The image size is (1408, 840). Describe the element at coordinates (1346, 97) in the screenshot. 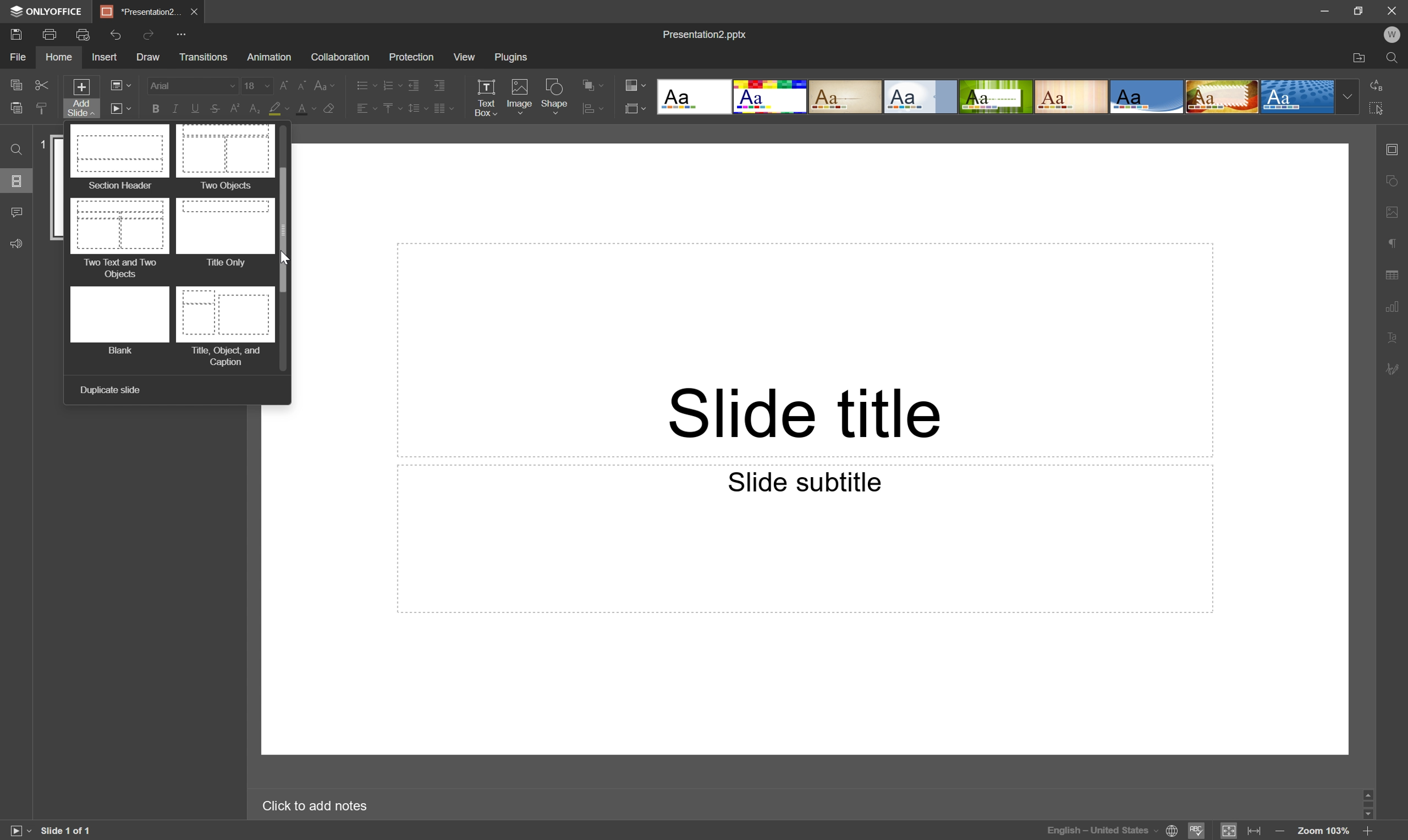

I see `Drop Down` at that location.